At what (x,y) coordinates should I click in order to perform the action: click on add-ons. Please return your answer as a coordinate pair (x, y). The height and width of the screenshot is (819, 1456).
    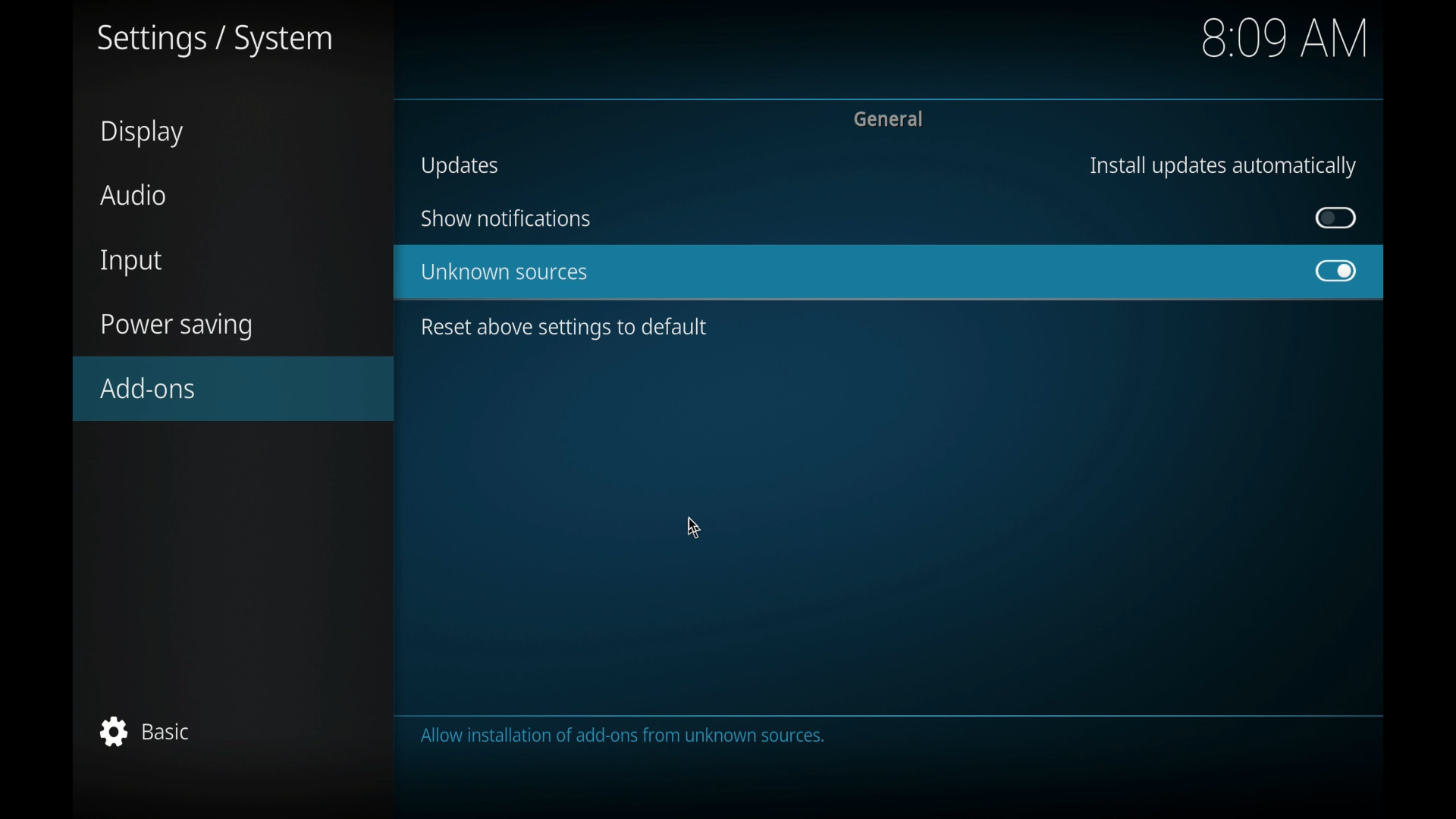
    Looking at the image, I should click on (235, 388).